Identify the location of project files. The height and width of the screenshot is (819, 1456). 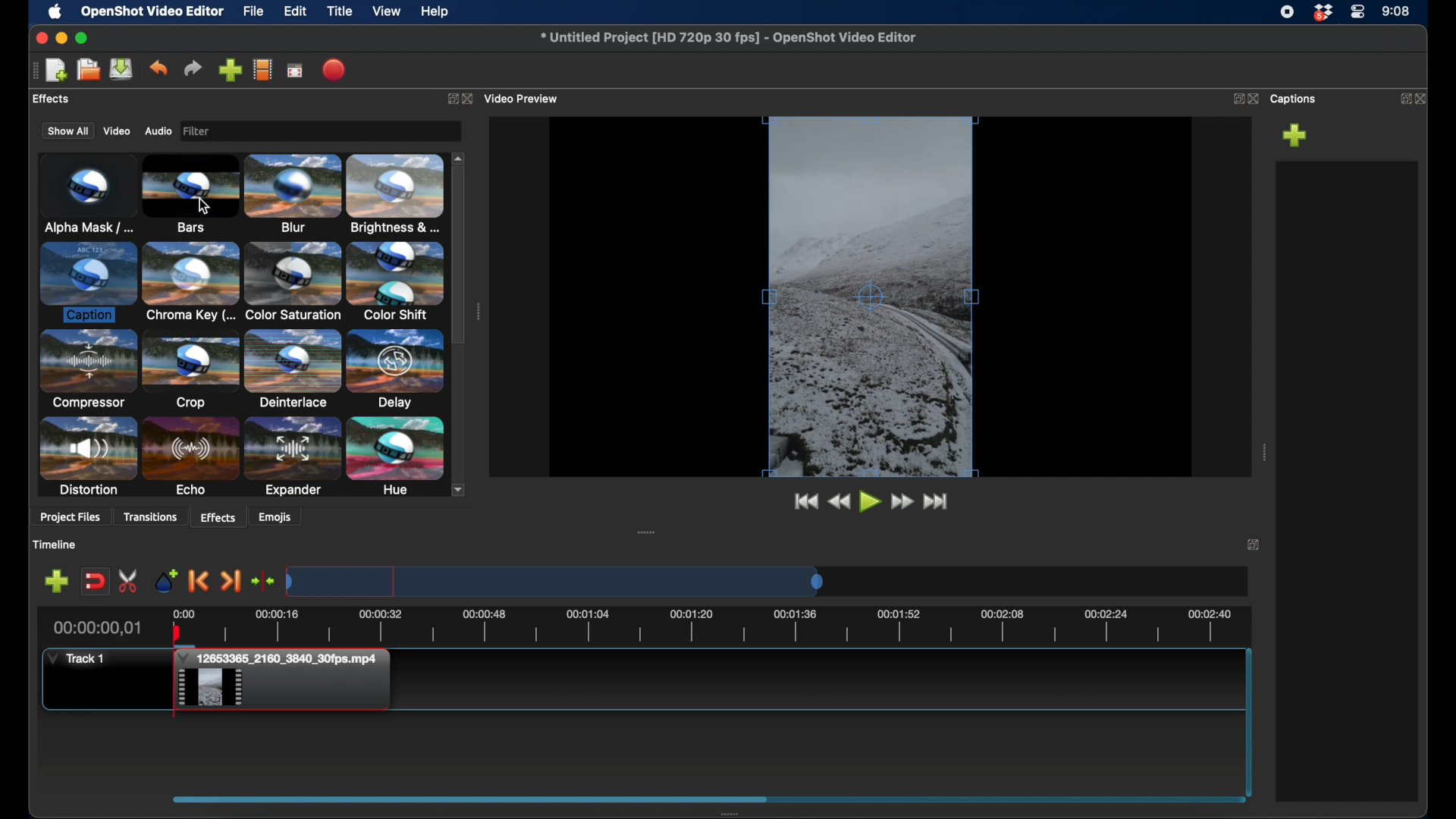
(66, 99).